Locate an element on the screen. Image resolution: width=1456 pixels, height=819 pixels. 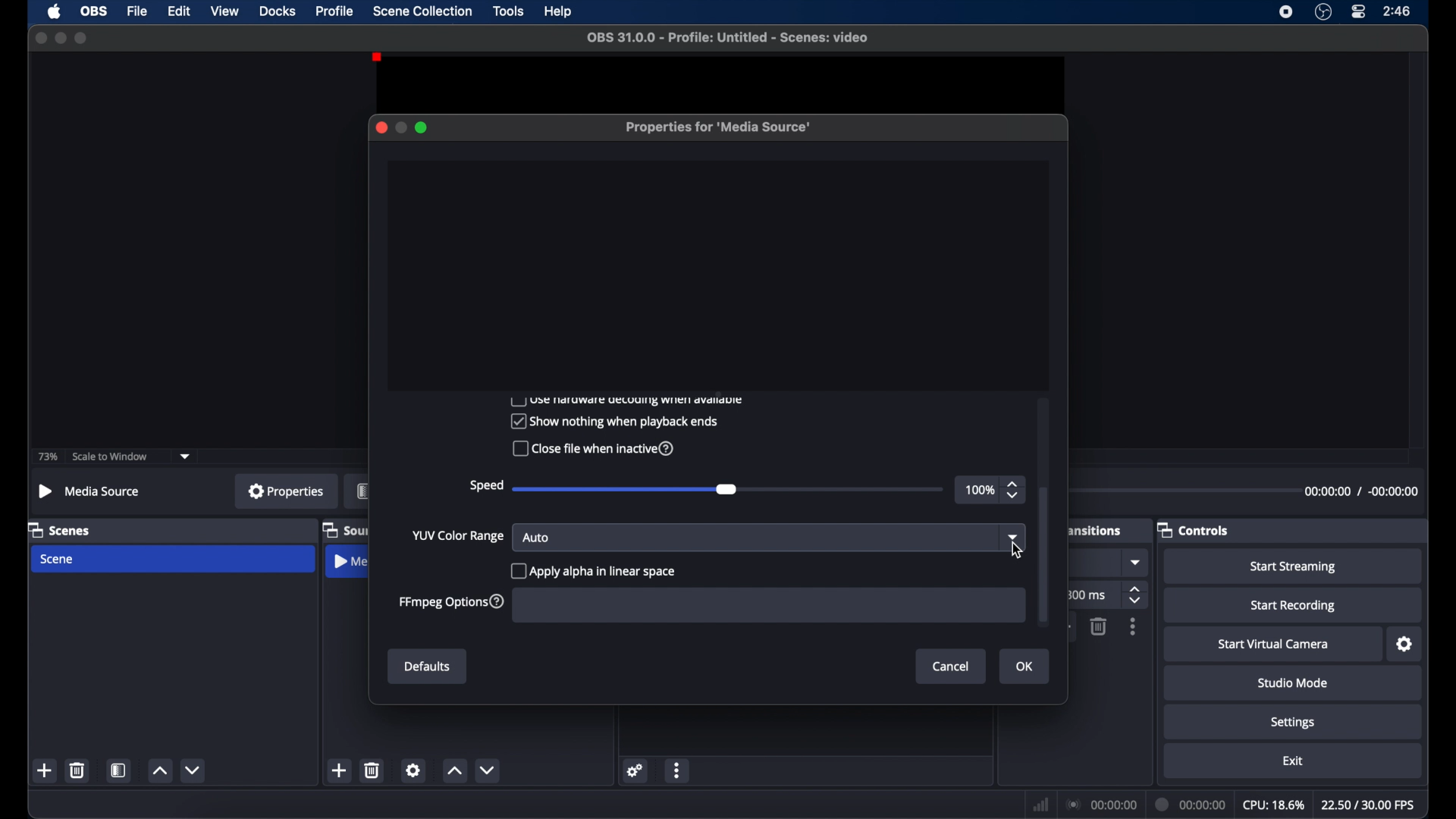
Close file when inactive is located at coordinates (591, 448).